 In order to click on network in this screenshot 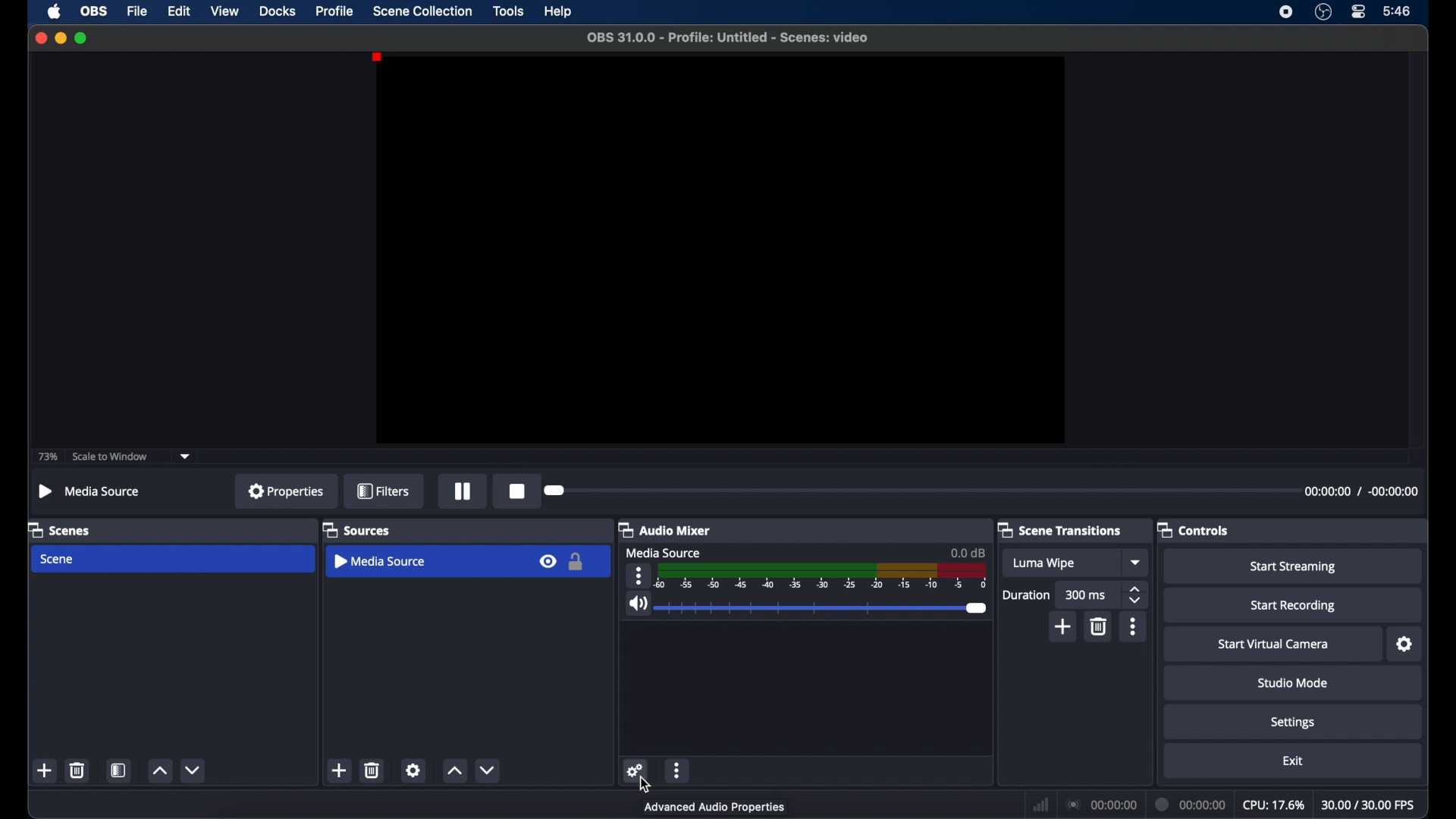, I will do `click(1040, 805)`.